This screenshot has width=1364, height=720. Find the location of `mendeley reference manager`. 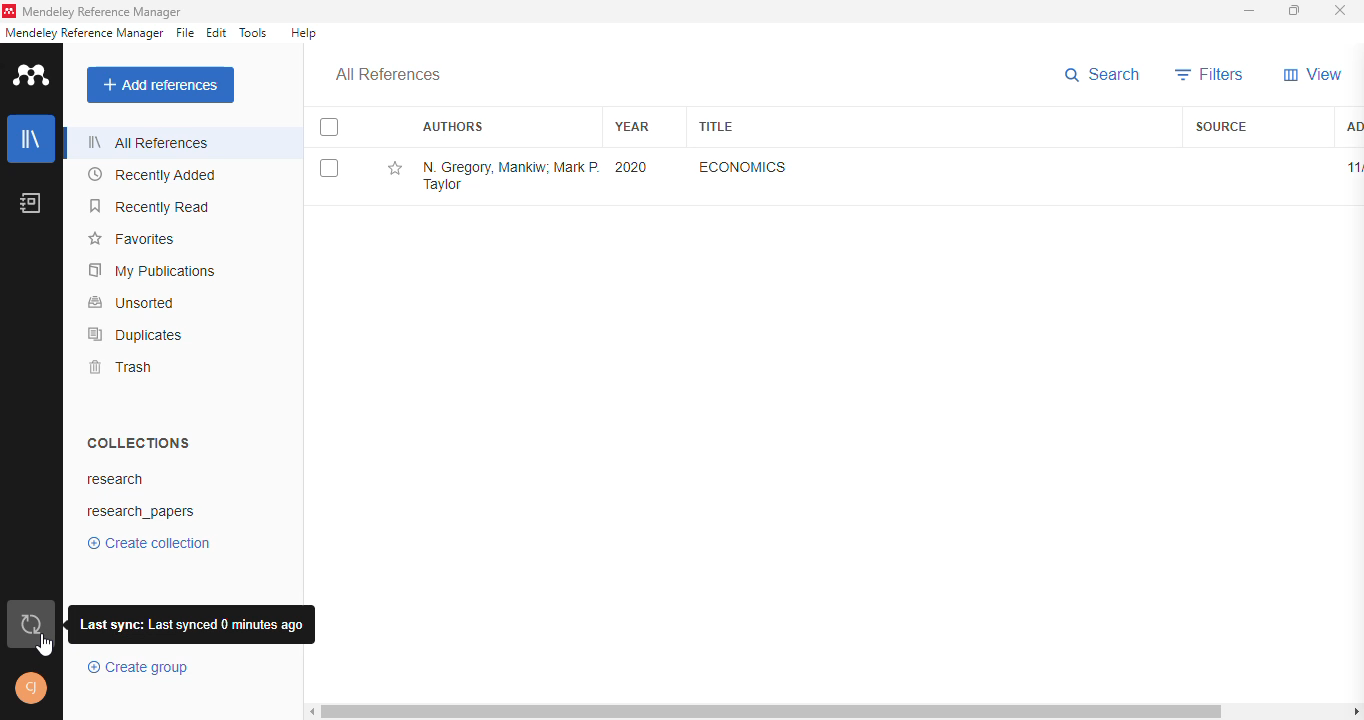

mendeley reference manager is located at coordinates (84, 33).